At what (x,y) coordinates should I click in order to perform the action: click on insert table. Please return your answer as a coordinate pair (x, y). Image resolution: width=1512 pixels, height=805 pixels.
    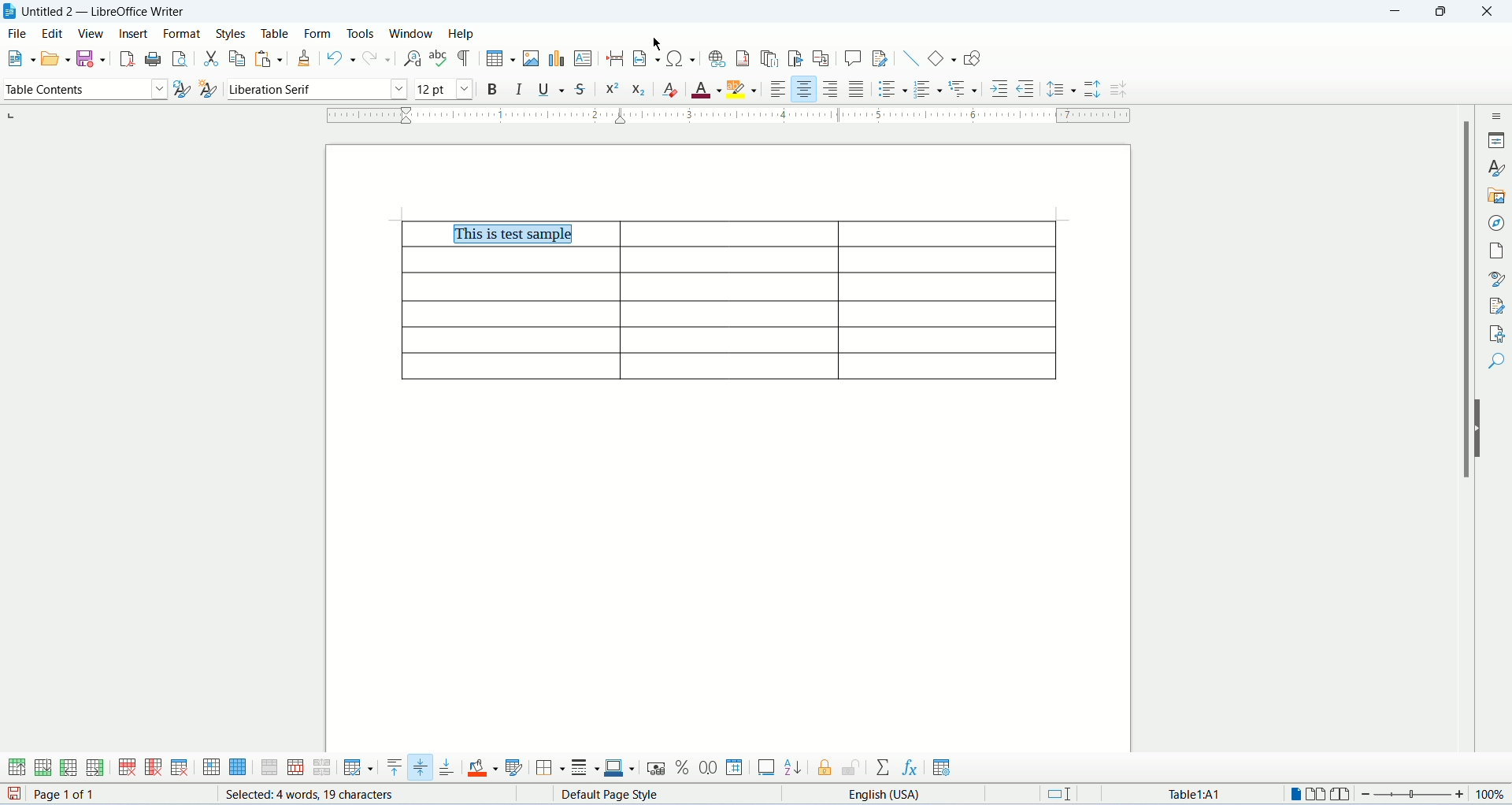
    Looking at the image, I should click on (499, 57).